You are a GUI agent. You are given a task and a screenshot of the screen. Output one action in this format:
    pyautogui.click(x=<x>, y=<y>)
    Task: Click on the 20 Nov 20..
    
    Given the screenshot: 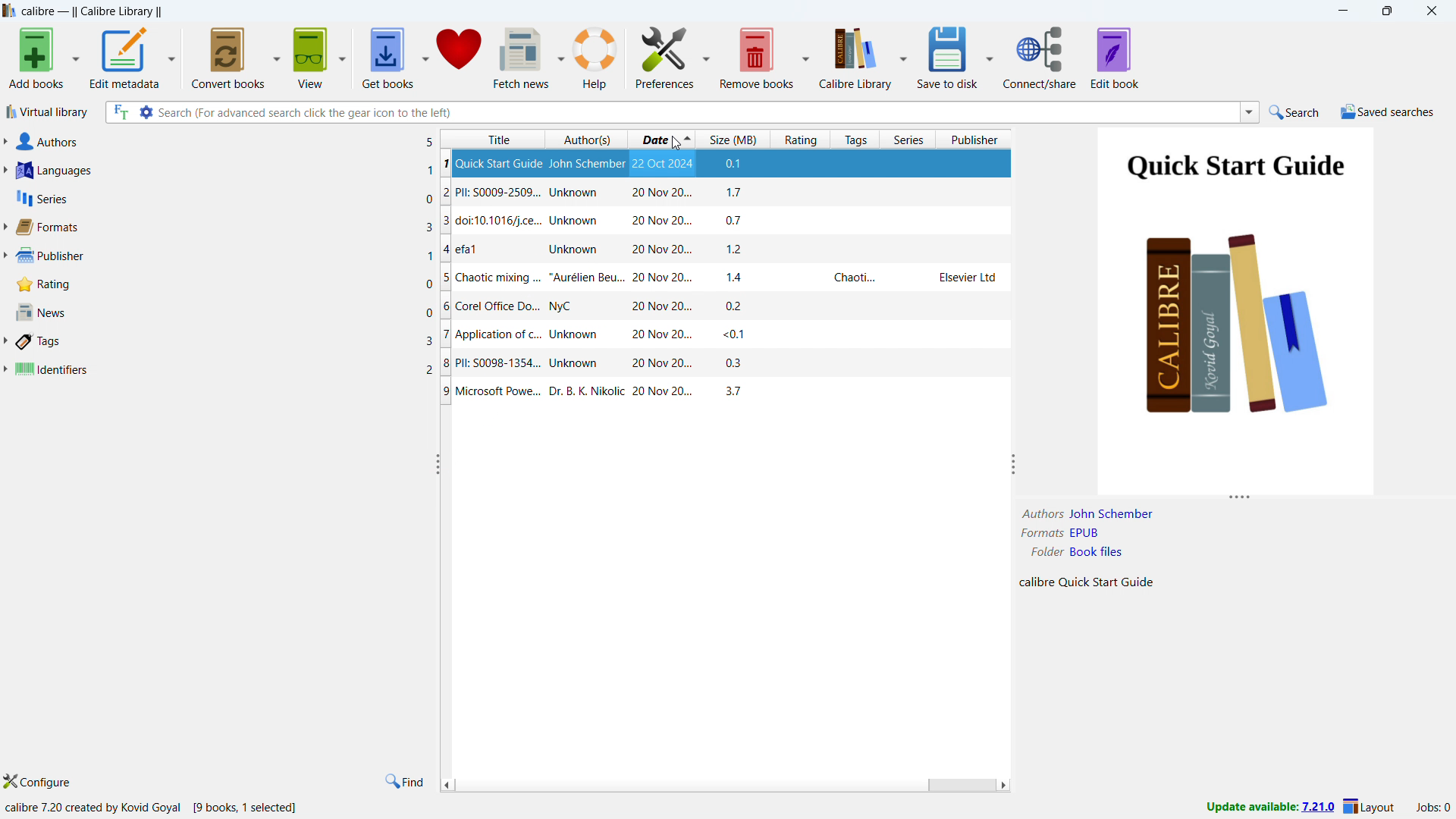 What is the action you would take?
    pyautogui.click(x=661, y=391)
    